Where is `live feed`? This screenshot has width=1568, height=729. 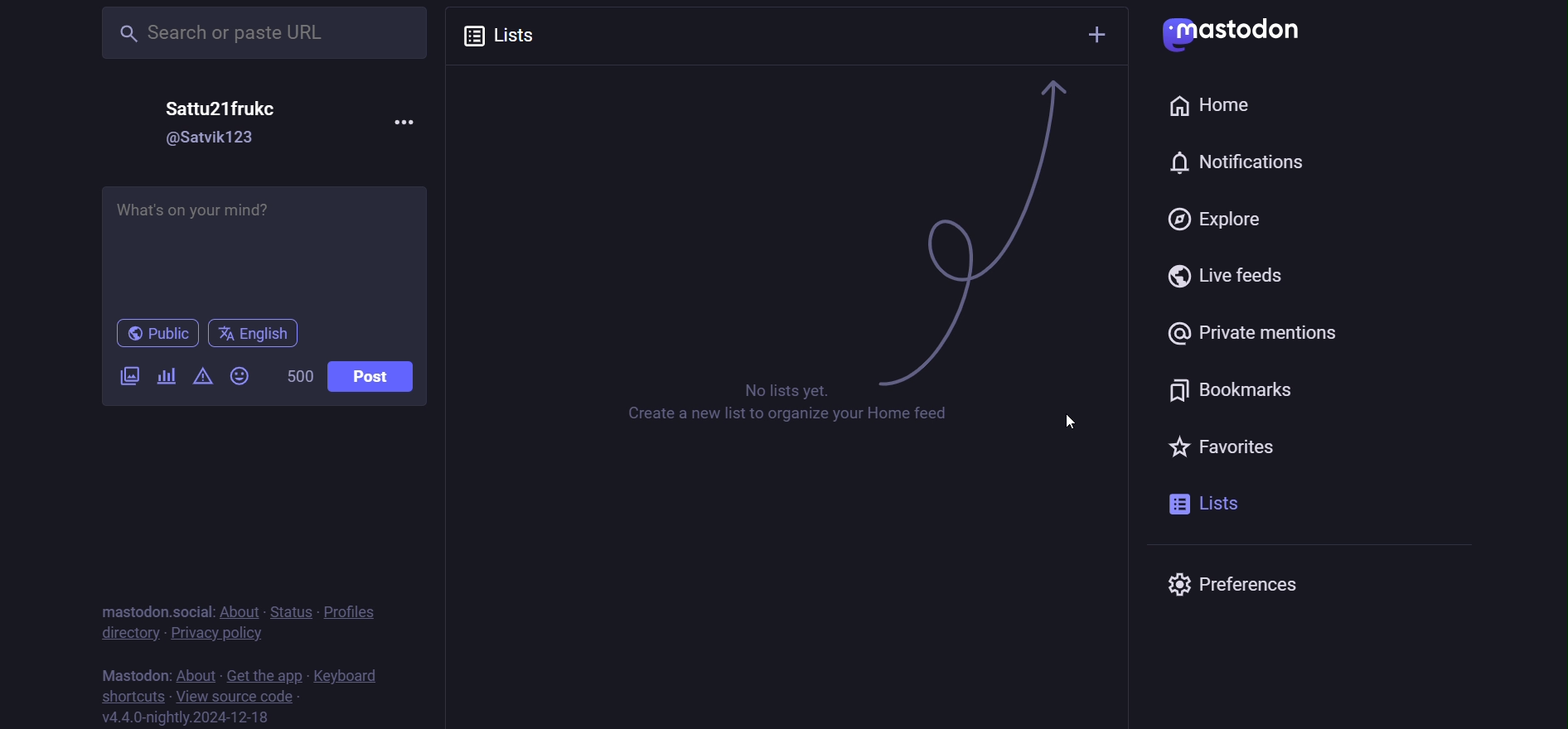 live feed is located at coordinates (1233, 276).